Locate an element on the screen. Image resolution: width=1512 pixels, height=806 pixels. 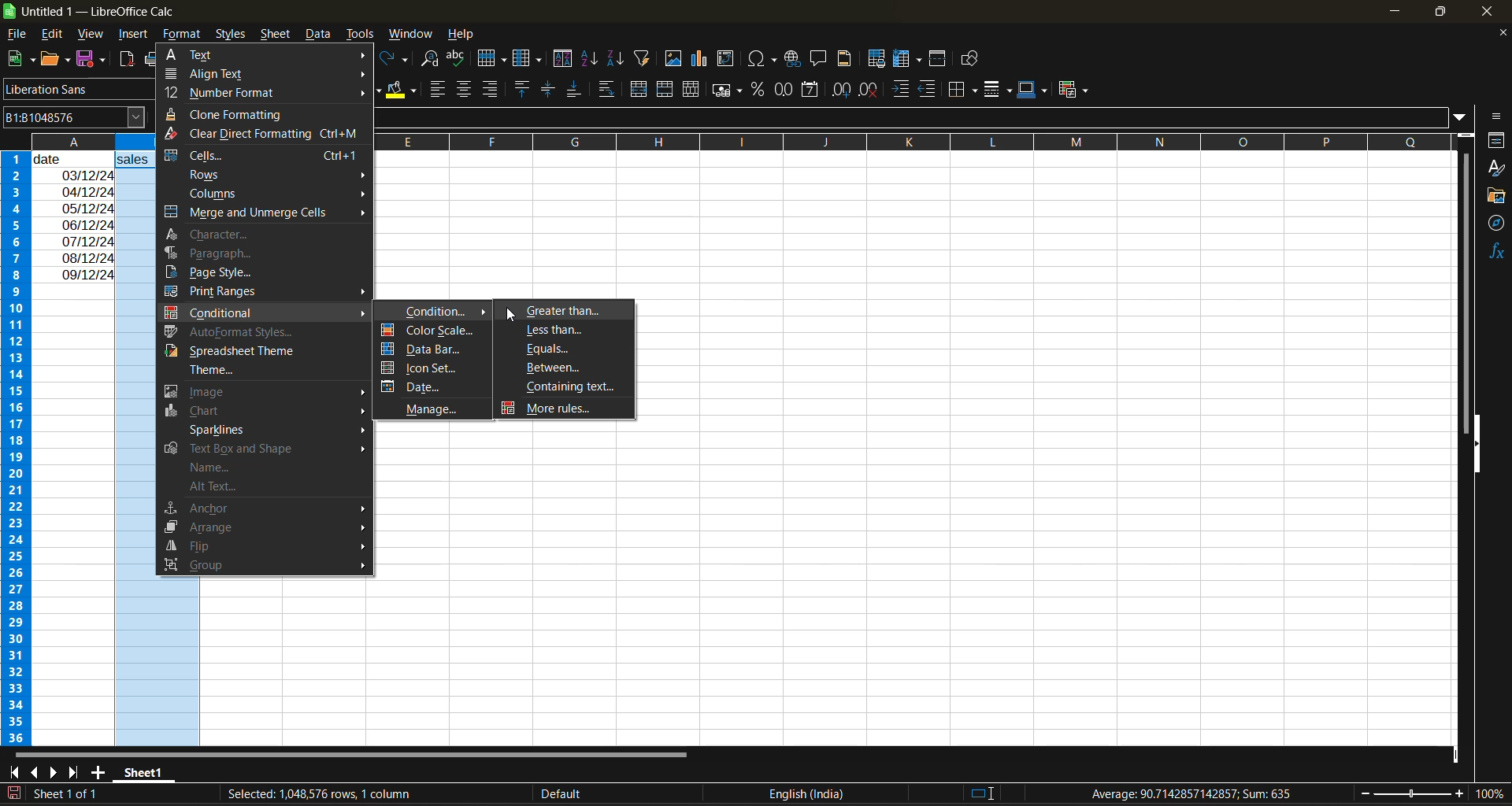
more rules is located at coordinates (549, 410).